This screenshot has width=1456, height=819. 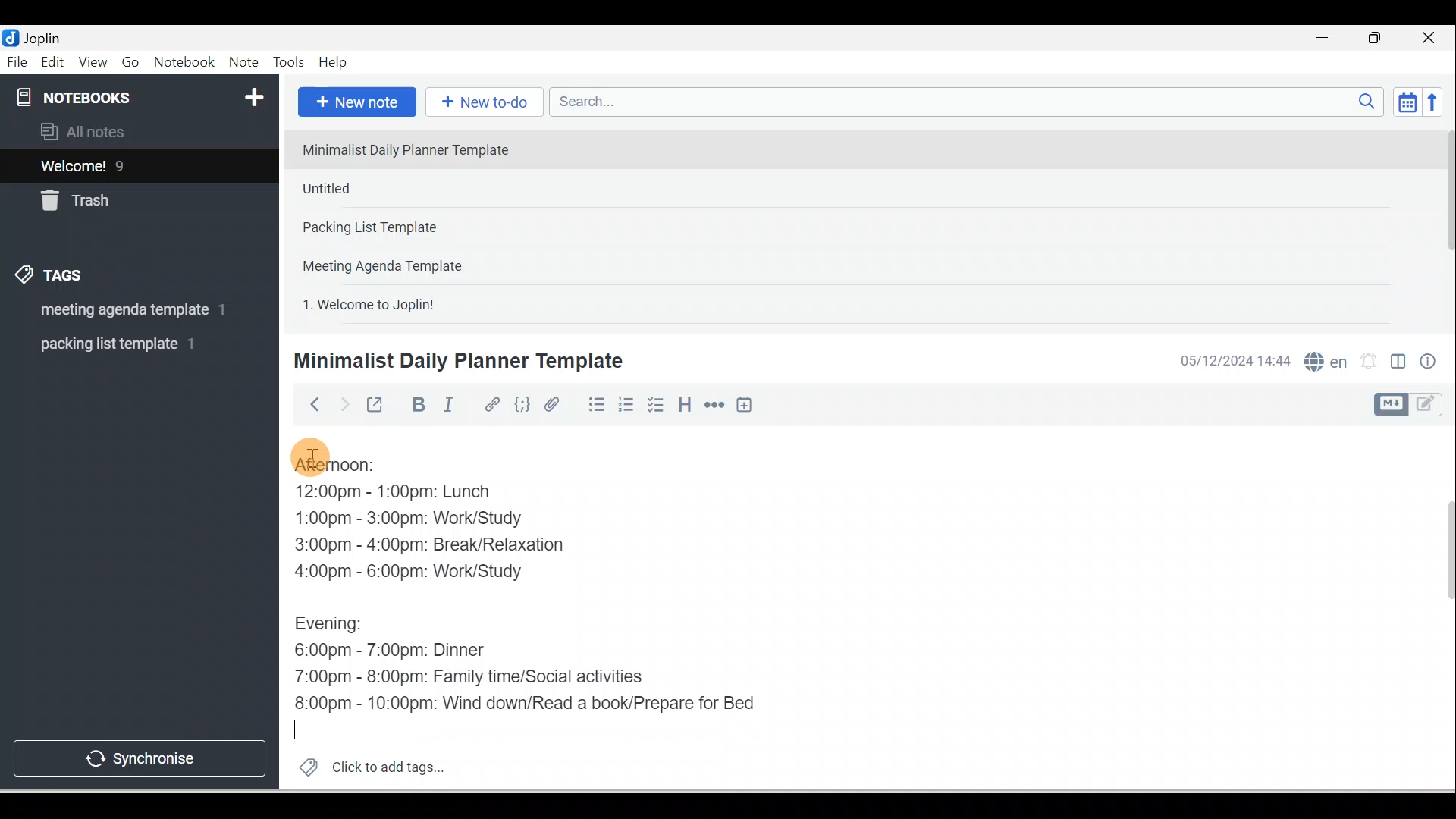 I want to click on 4:00pm - 6:00pm: Work/Study, so click(x=415, y=572).